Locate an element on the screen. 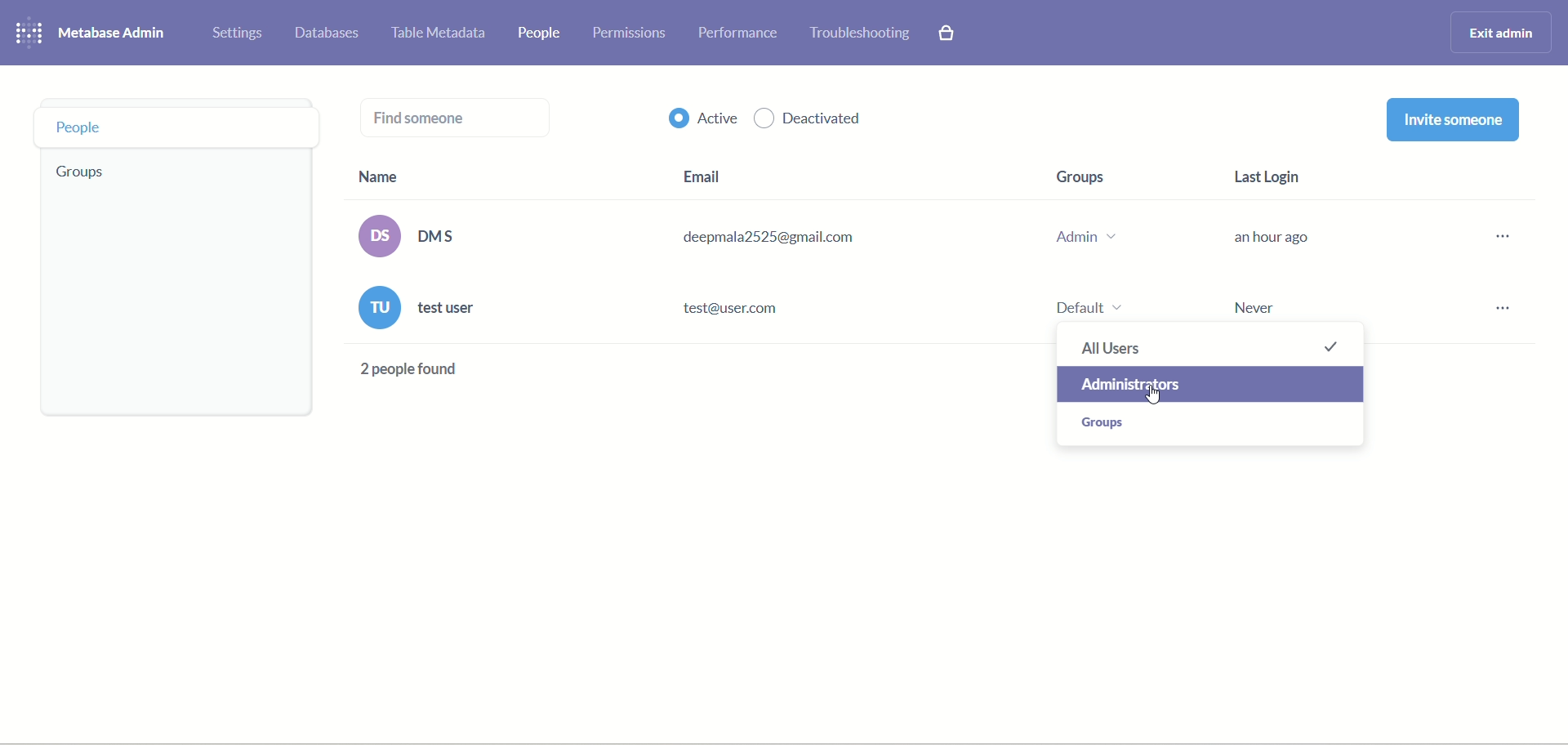 The width and height of the screenshot is (1568, 745). metabase admin is located at coordinates (112, 32).